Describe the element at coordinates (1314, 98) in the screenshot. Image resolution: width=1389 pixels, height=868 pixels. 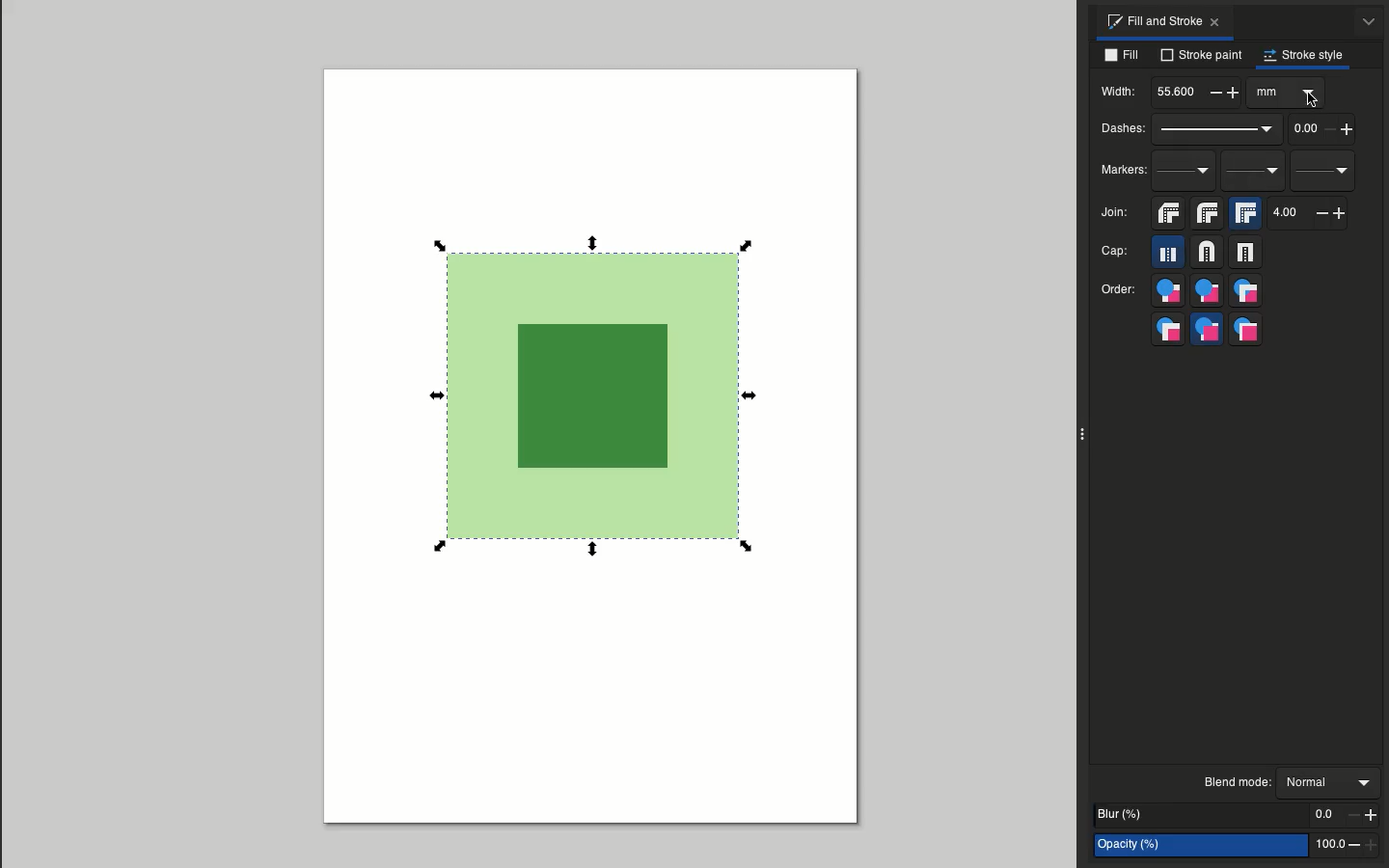
I see `Cursor` at that location.